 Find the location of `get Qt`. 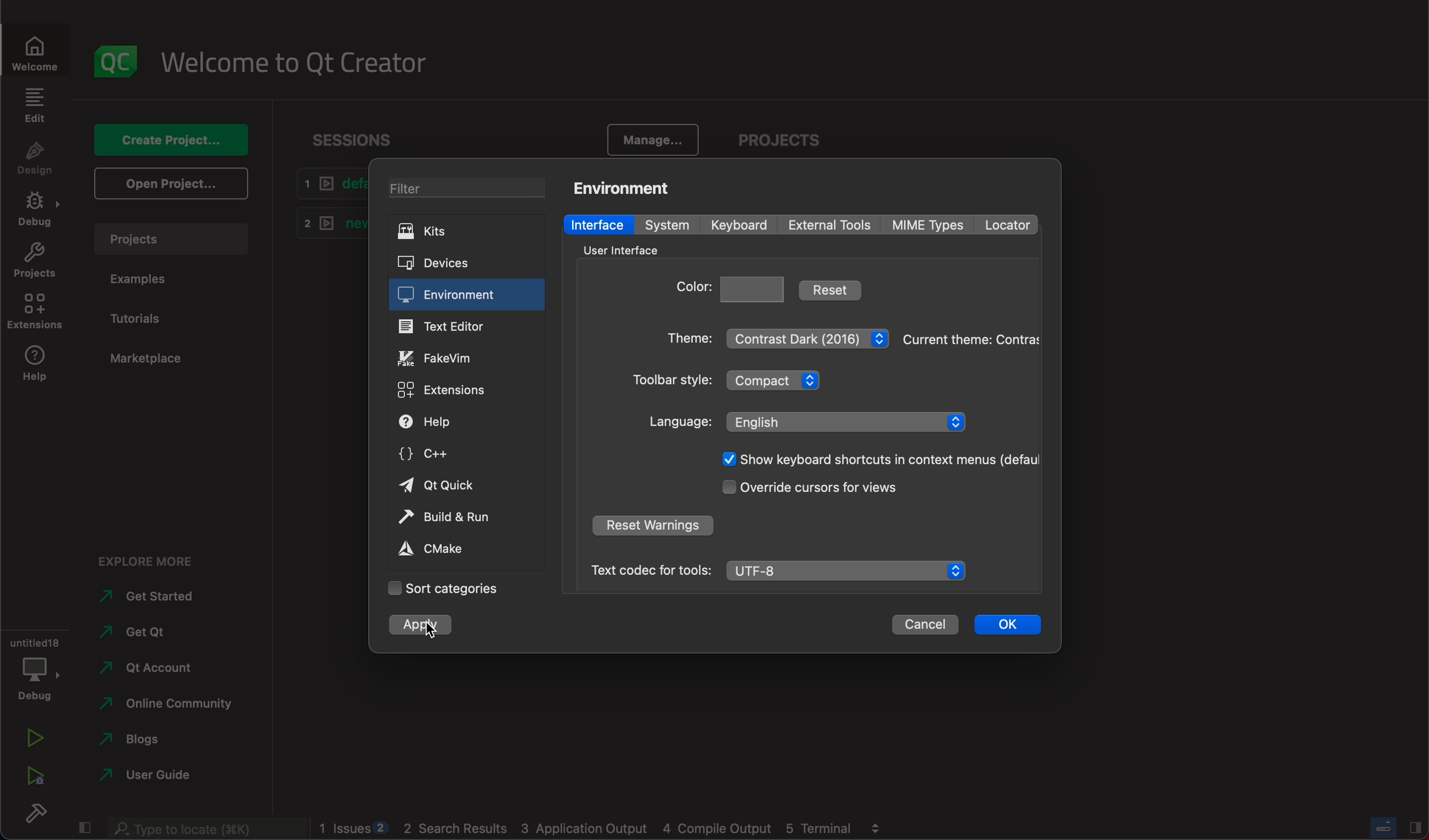

get Qt is located at coordinates (163, 633).